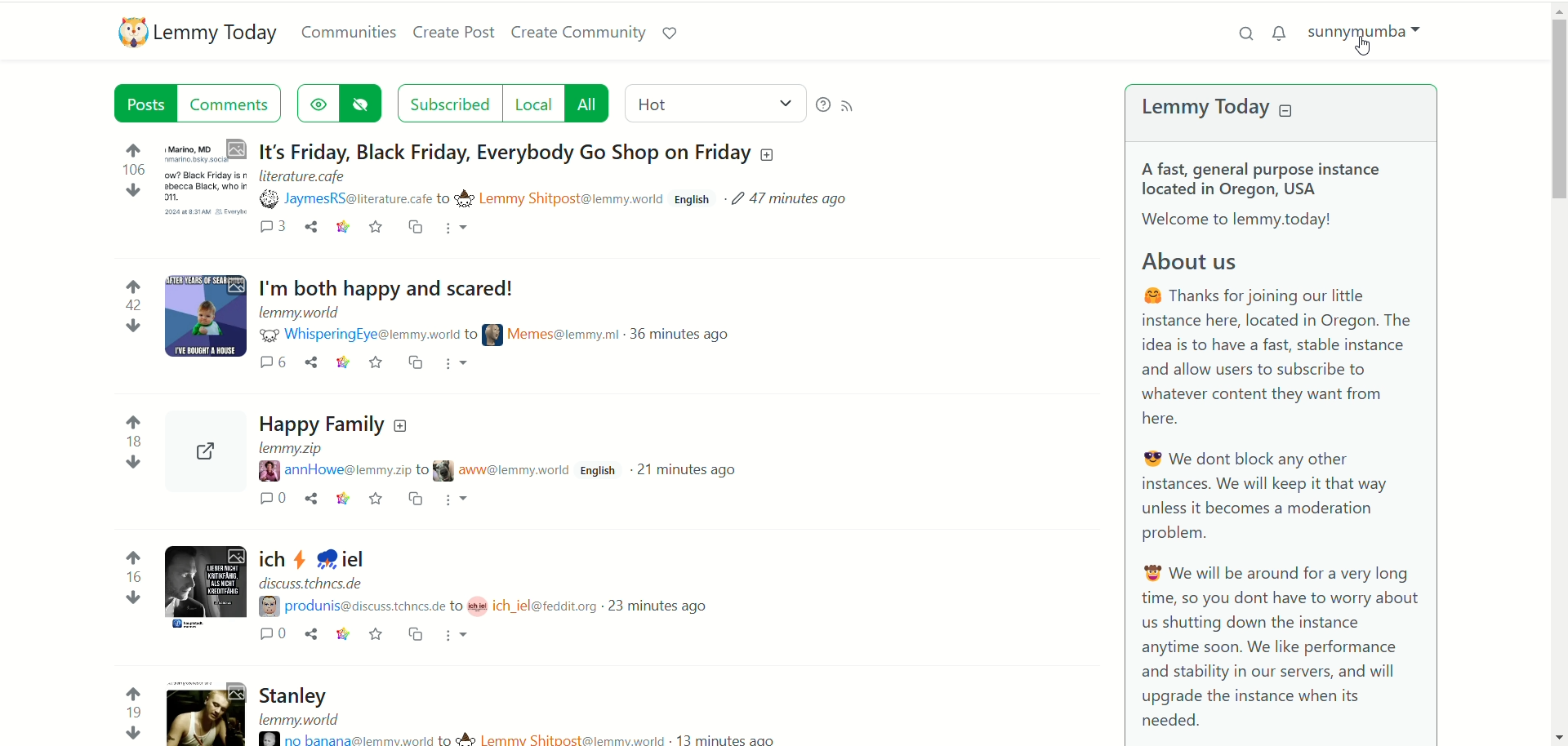 This screenshot has height=746, width=1568. What do you see at coordinates (1282, 449) in the screenshot?
I see `text` at bounding box center [1282, 449].